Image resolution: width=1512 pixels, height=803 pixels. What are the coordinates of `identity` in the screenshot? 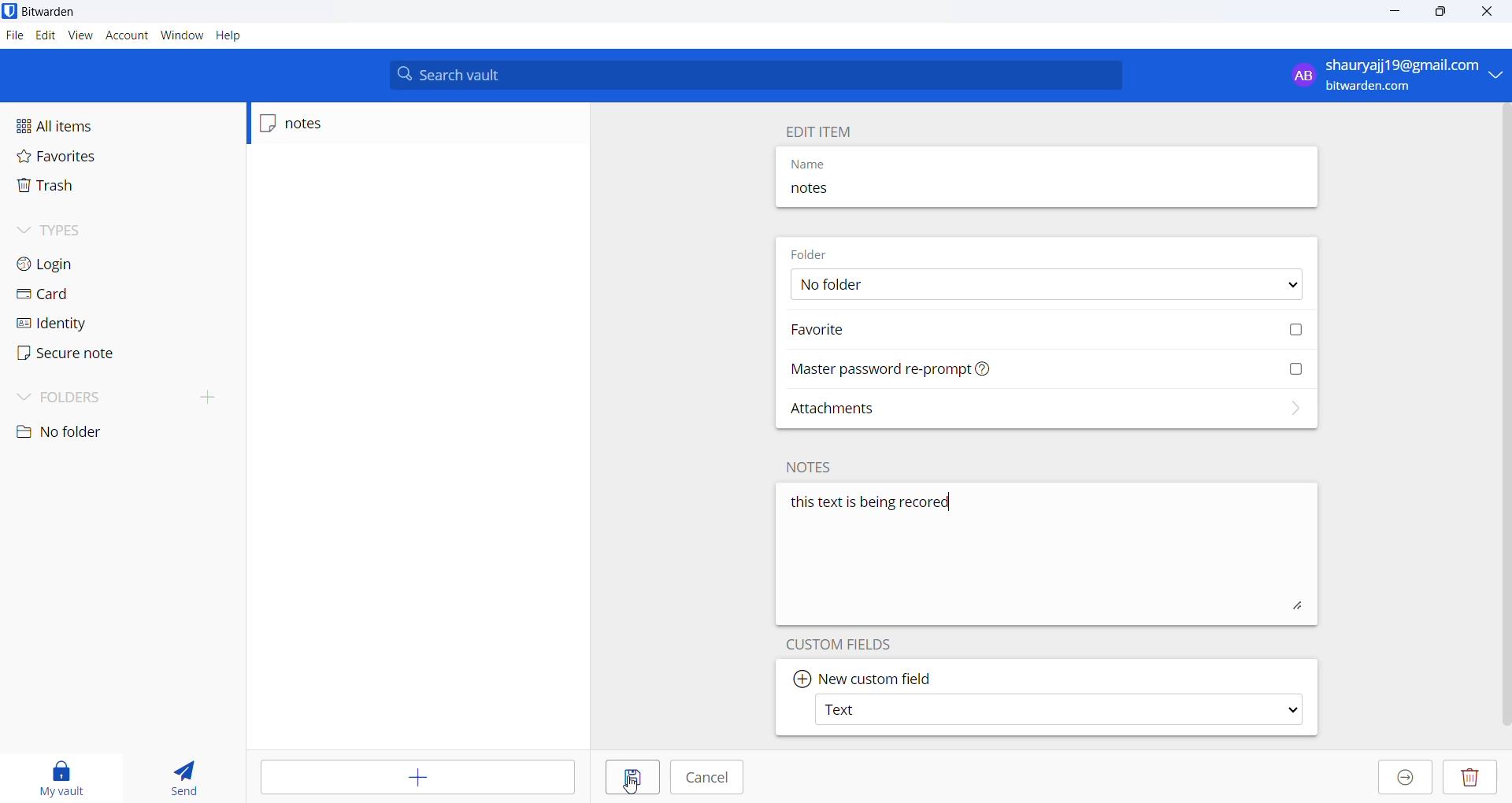 It's located at (72, 327).